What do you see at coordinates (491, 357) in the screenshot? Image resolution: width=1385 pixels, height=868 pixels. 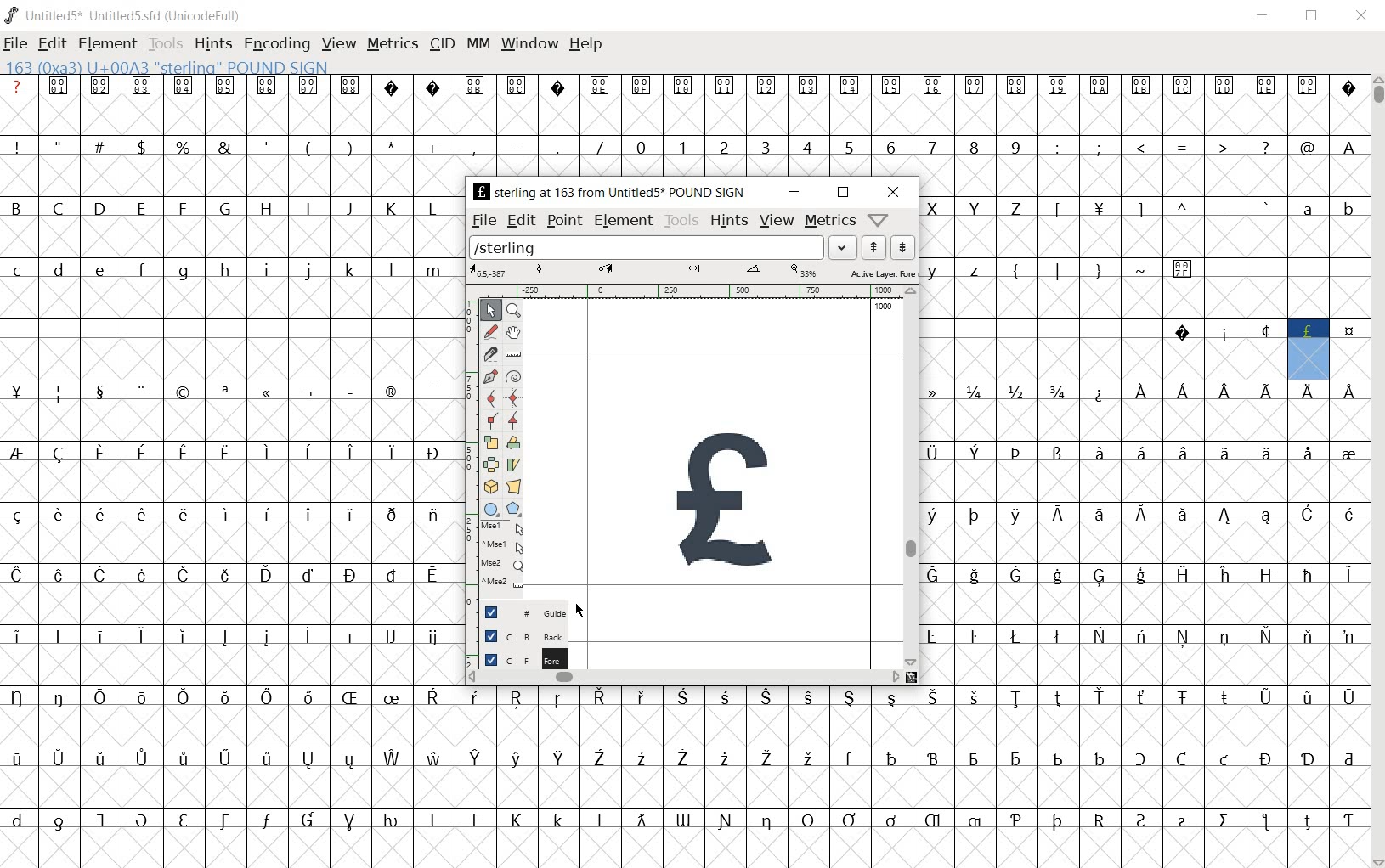 I see `knife` at bounding box center [491, 357].